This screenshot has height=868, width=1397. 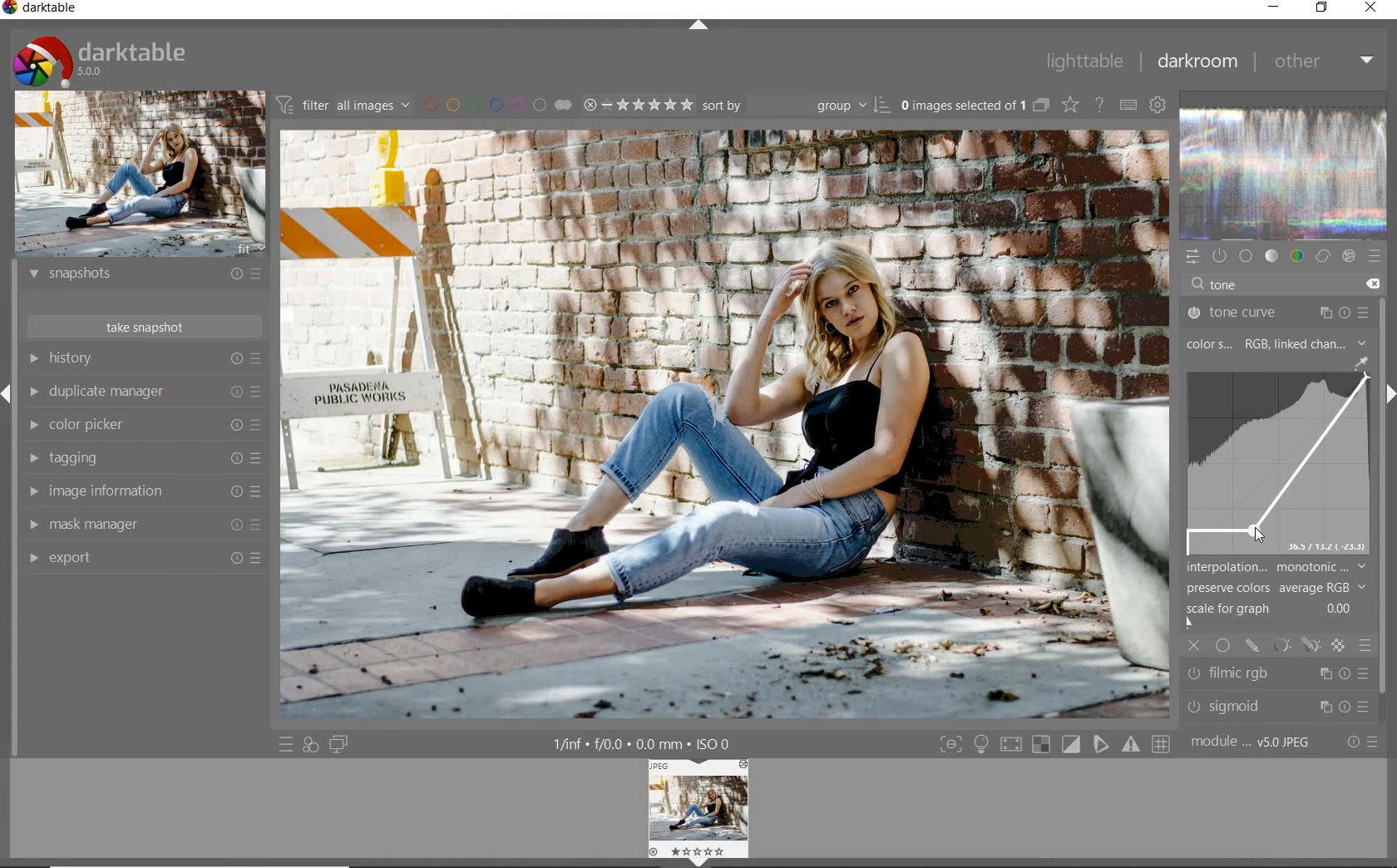 What do you see at coordinates (1197, 62) in the screenshot?
I see `darkroom` at bounding box center [1197, 62].